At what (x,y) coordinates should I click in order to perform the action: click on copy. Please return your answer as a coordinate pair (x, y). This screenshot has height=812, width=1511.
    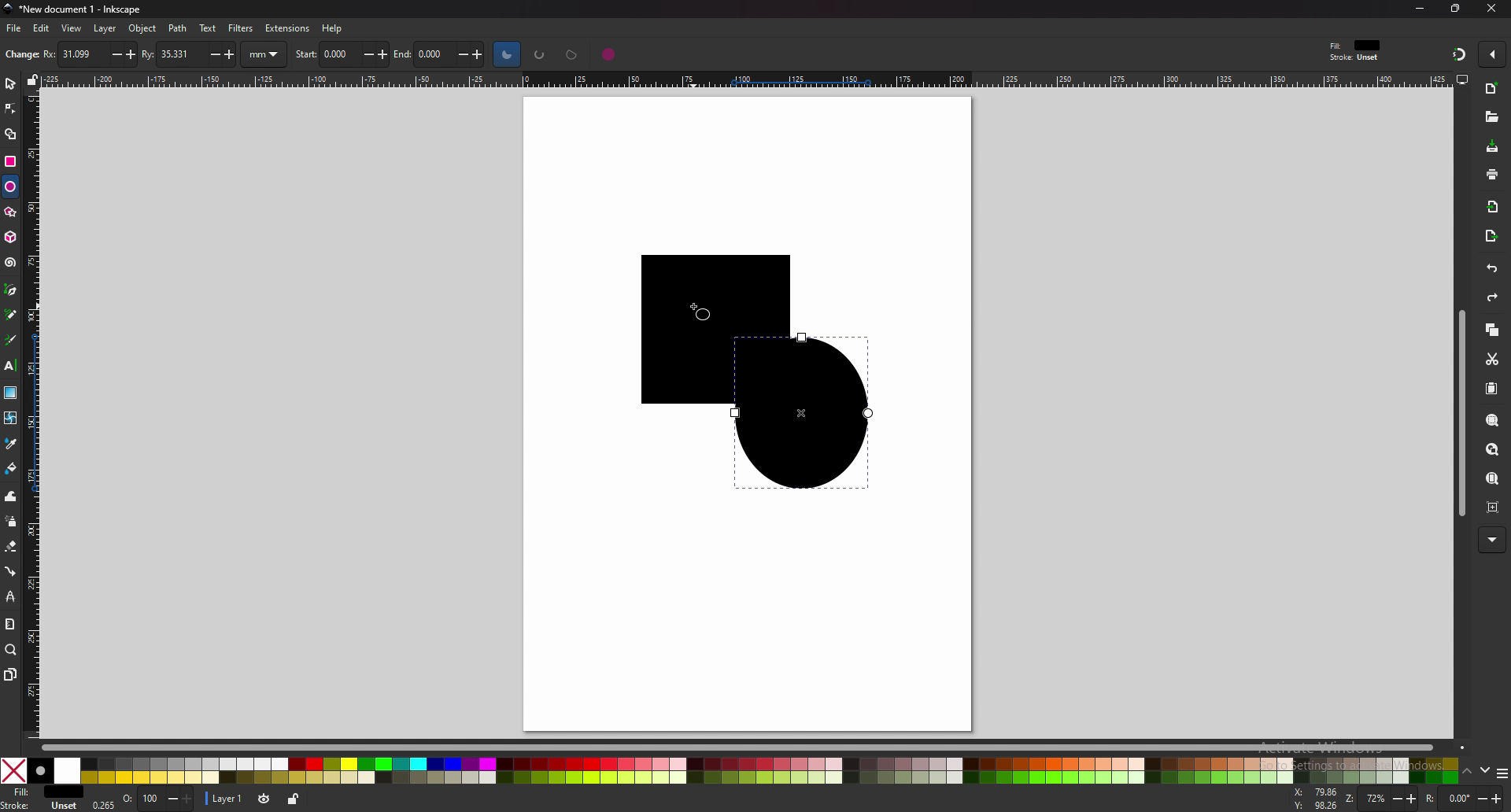
    Looking at the image, I should click on (1491, 329).